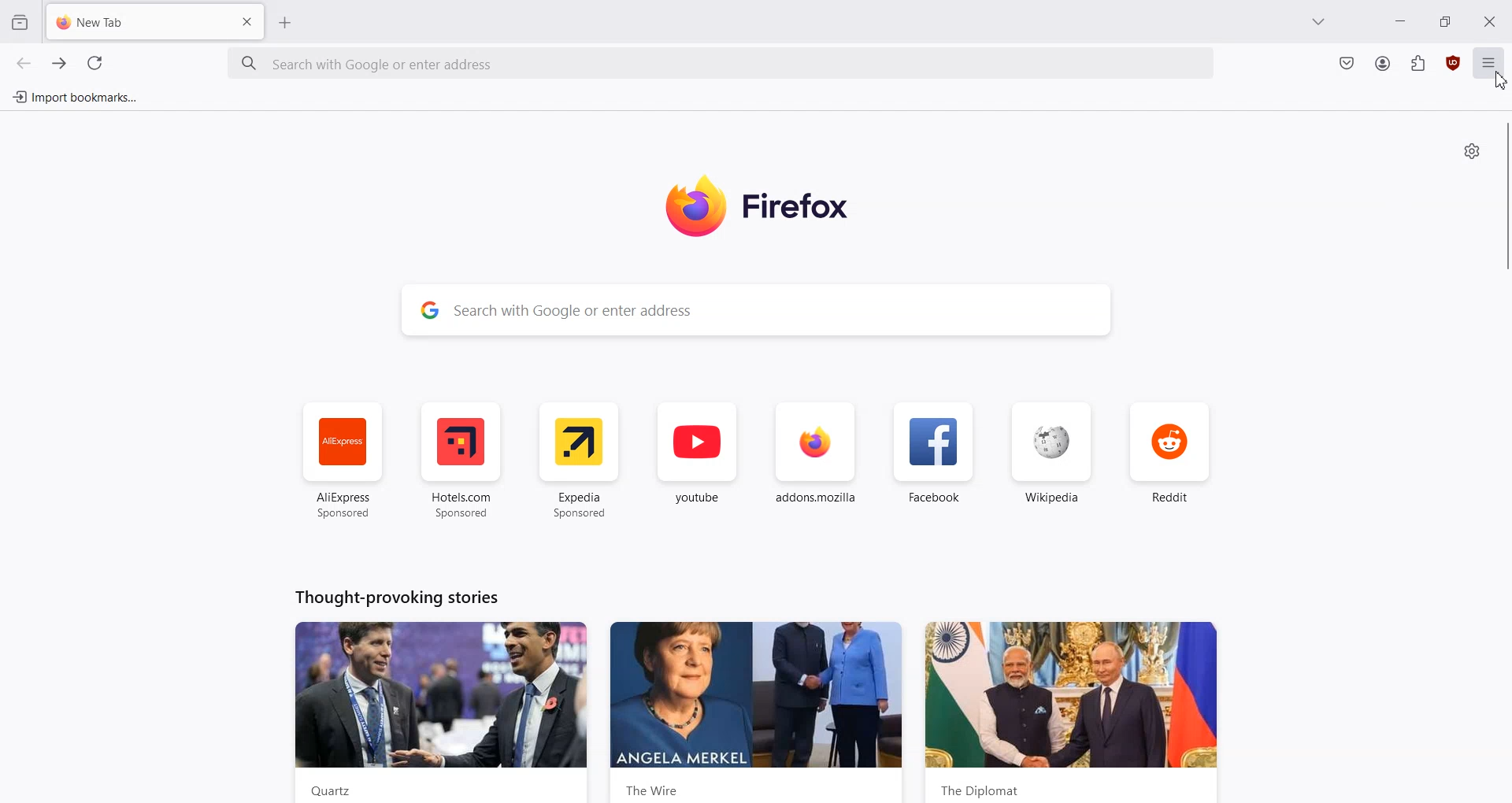 This screenshot has width=1512, height=803. Describe the element at coordinates (1173, 461) in the screenshot. I see `Reddit` at that location.